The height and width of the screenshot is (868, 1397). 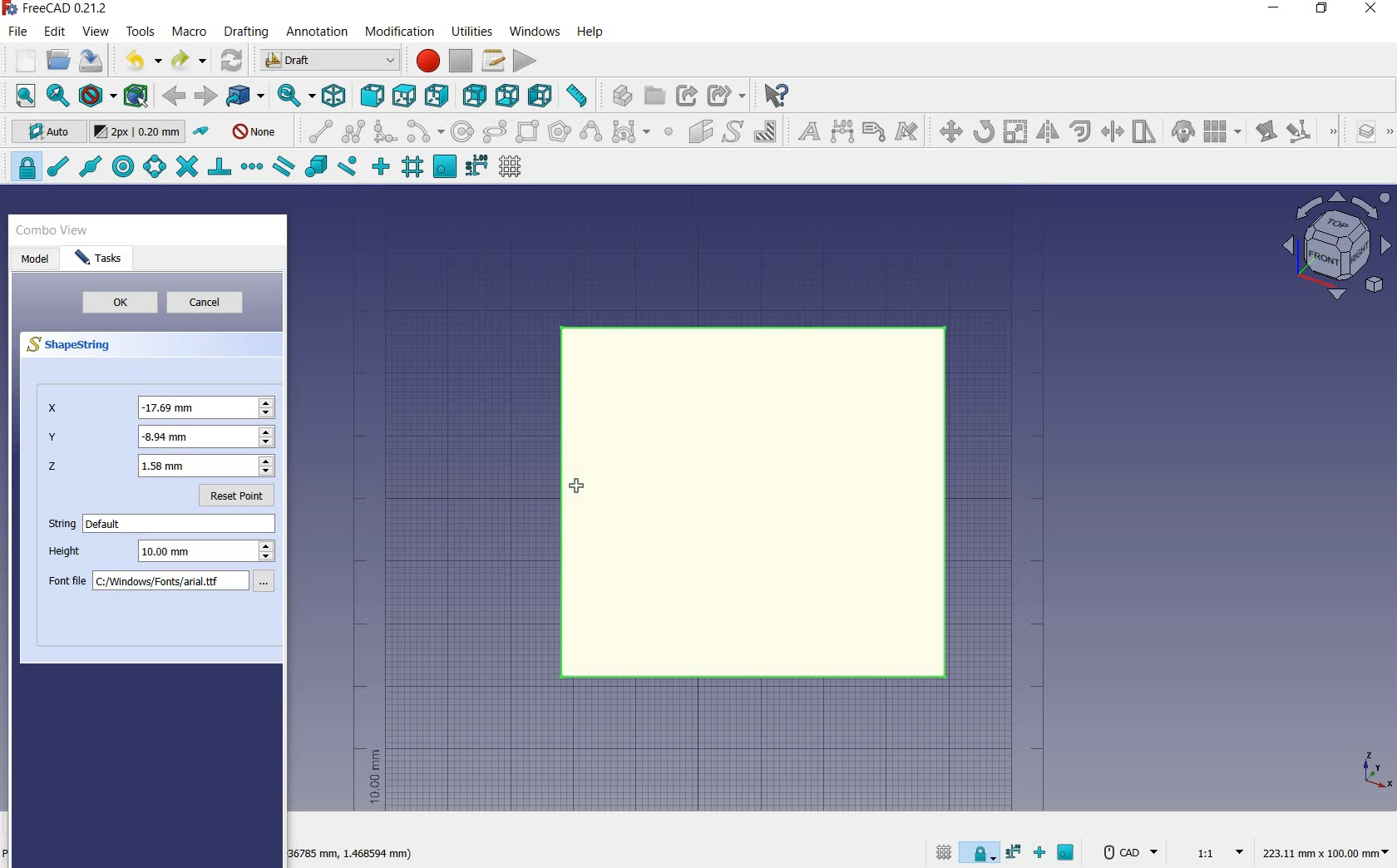 What do you see at coordinates (724, 96) in the screenshot?
I see `make sub-link` at bounding box center [724, 96].